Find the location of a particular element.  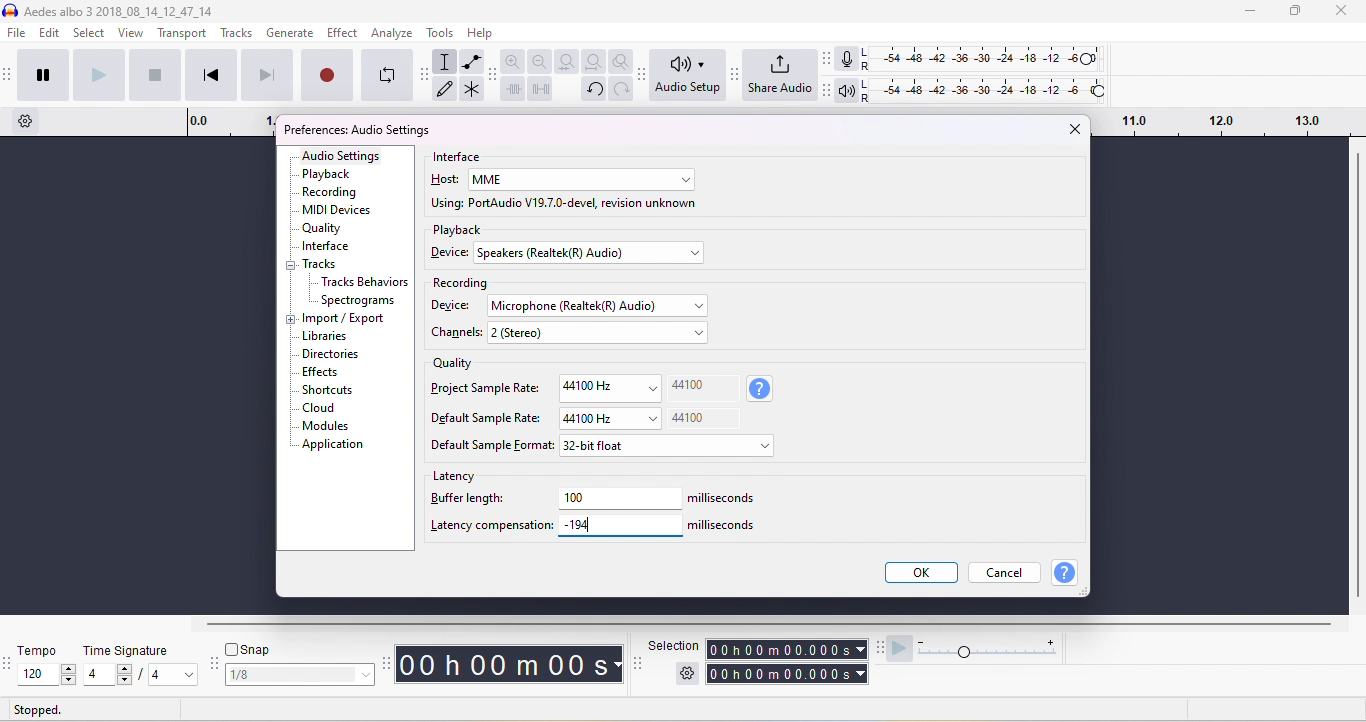

default sample format is located at coordinates (492, 446).